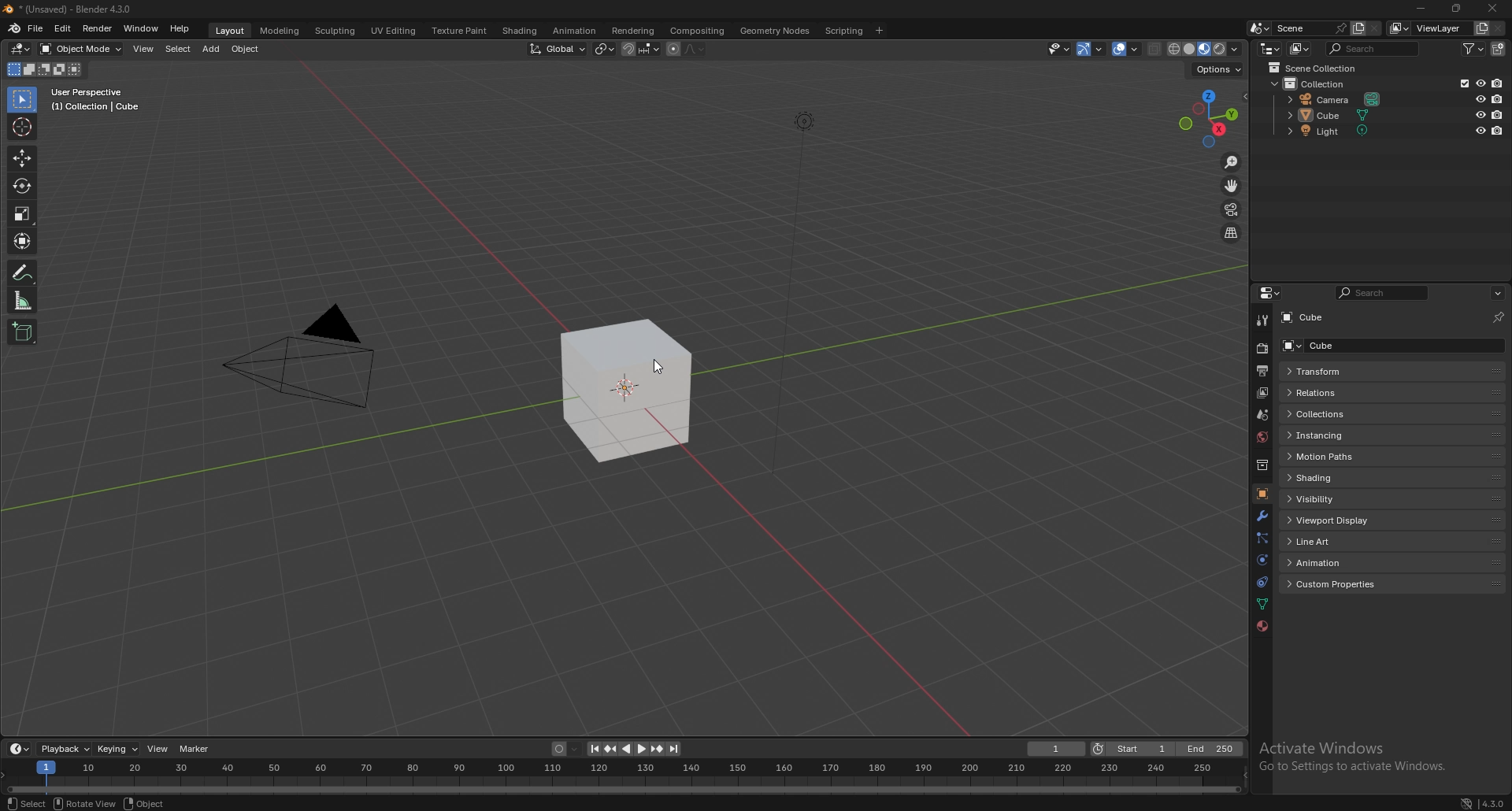 Image resolution: width=1512 pixels, height=811 pixels. What do you see at coordinates (1346, 413) in the screenshot?
I see `collections` at bounding box center [1346, 413].